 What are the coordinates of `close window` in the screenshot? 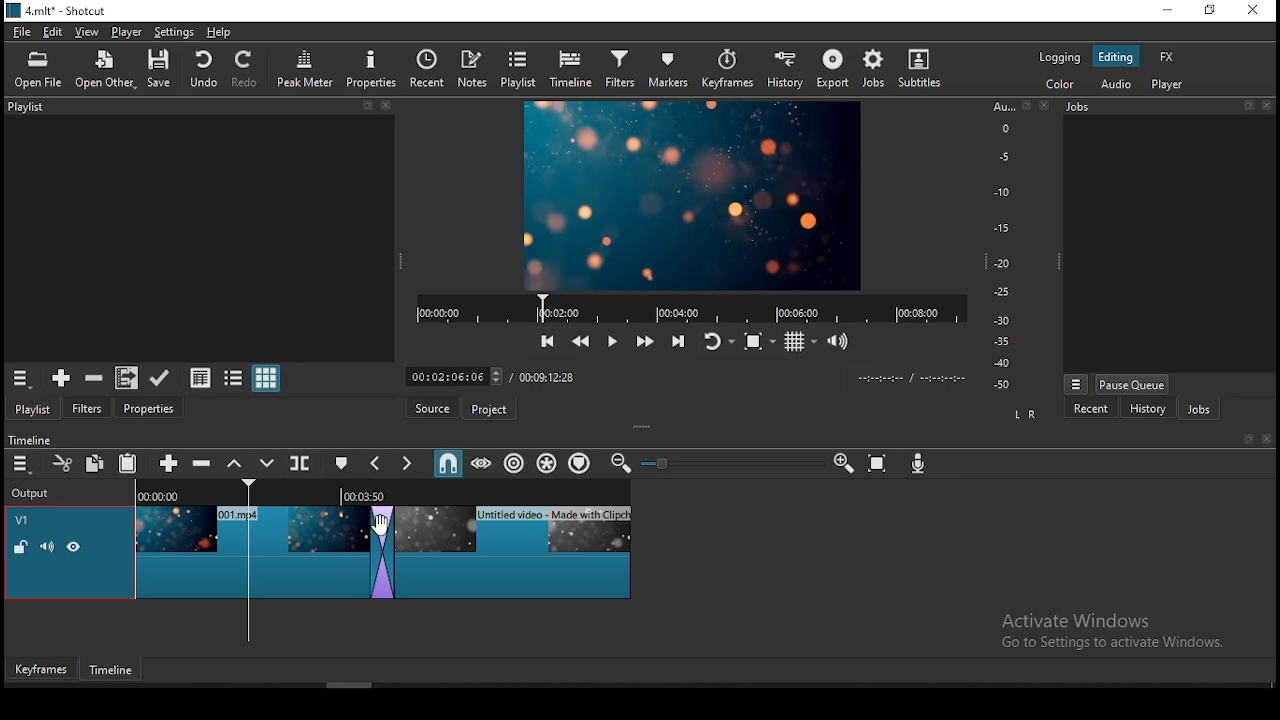 It's located at (1255, 10).